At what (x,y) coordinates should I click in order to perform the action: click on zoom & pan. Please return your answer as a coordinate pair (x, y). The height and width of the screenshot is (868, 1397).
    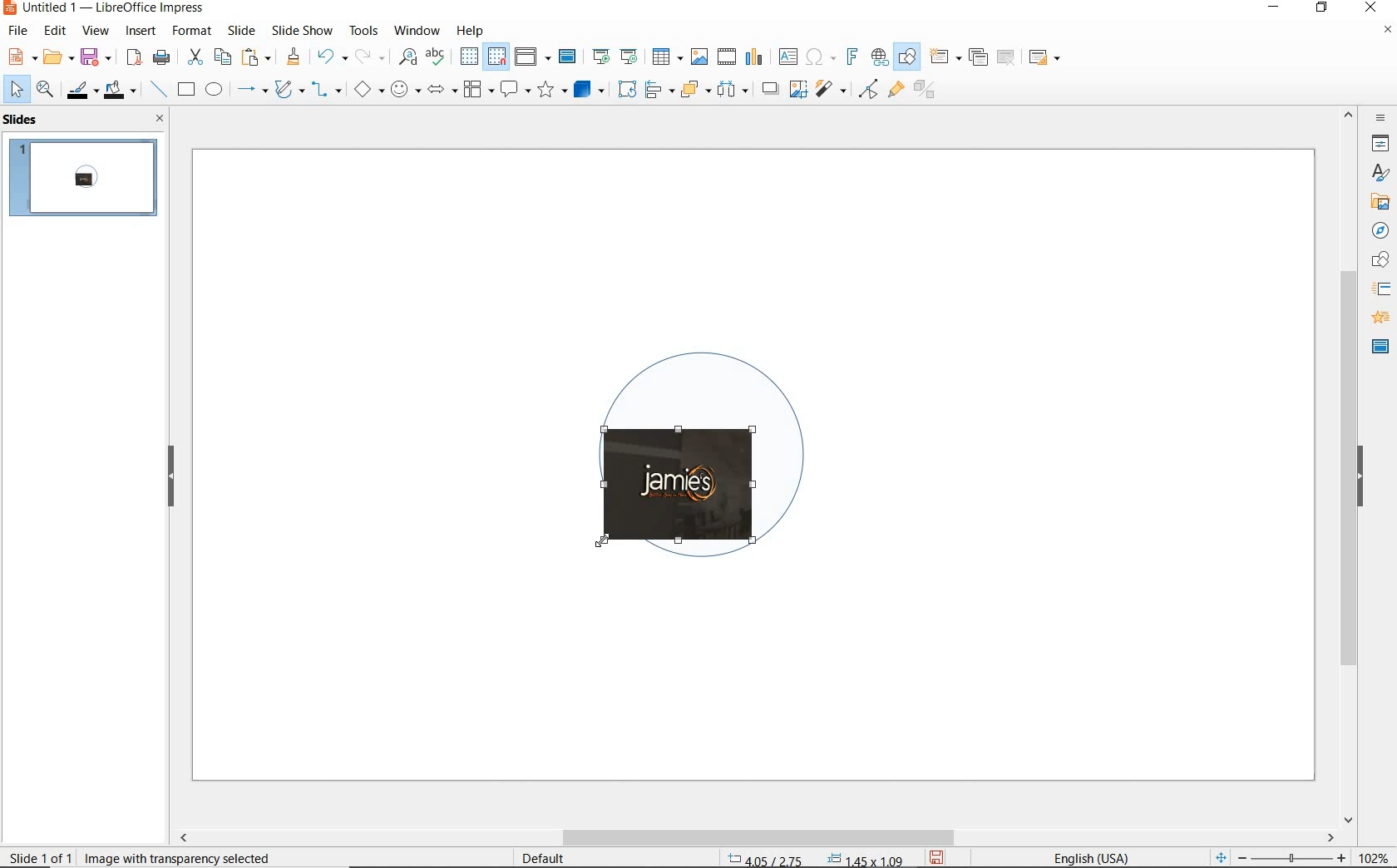
    Looking at the image, I should click on (47, 91).